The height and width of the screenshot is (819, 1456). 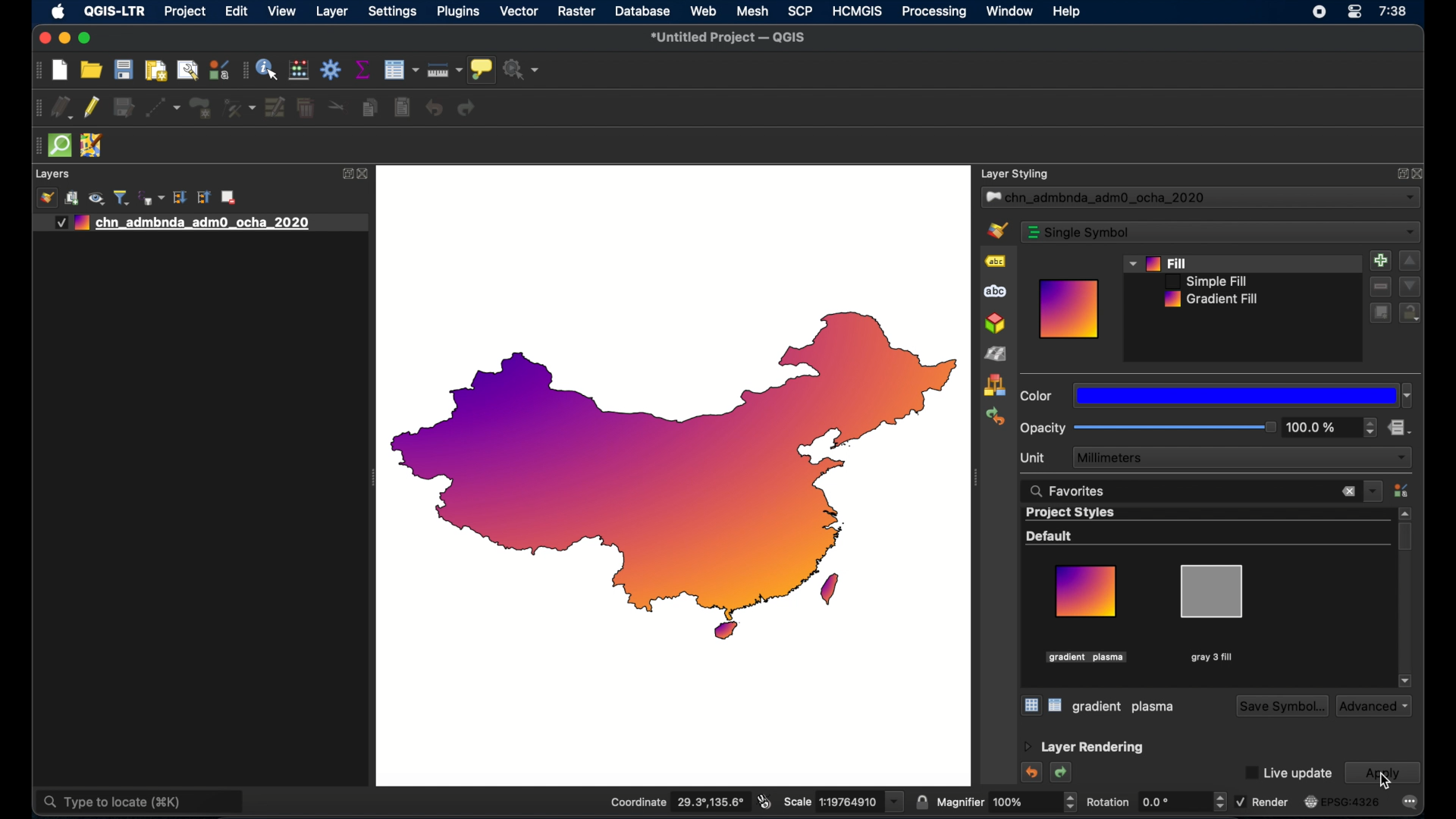 I want to click on magnifier, so click(x=997, y=802).